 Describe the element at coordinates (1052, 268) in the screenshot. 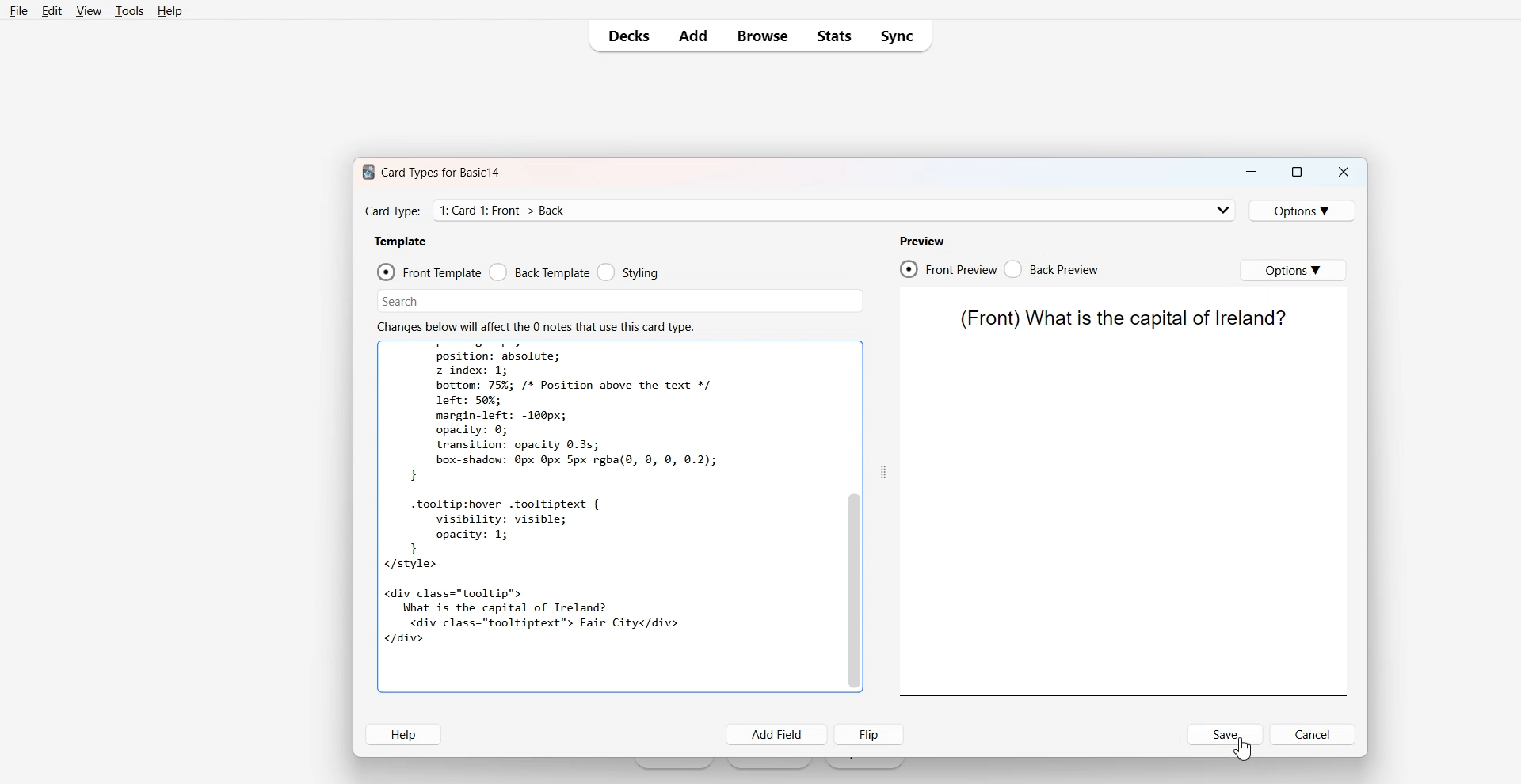

I see `Back Preview` at that location.